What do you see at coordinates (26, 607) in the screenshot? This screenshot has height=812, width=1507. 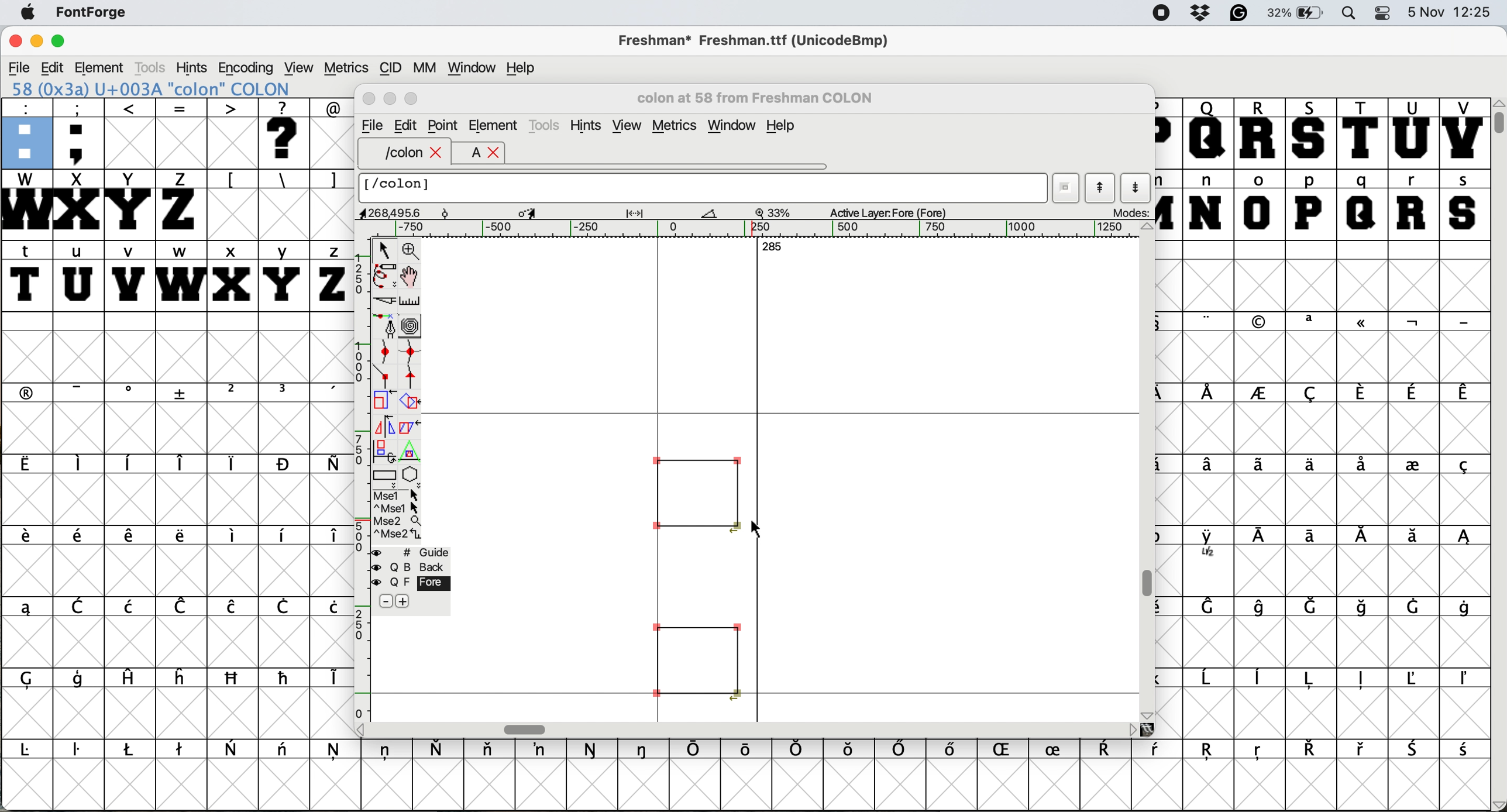 I see `symbol` at bounding box center [26, 607].